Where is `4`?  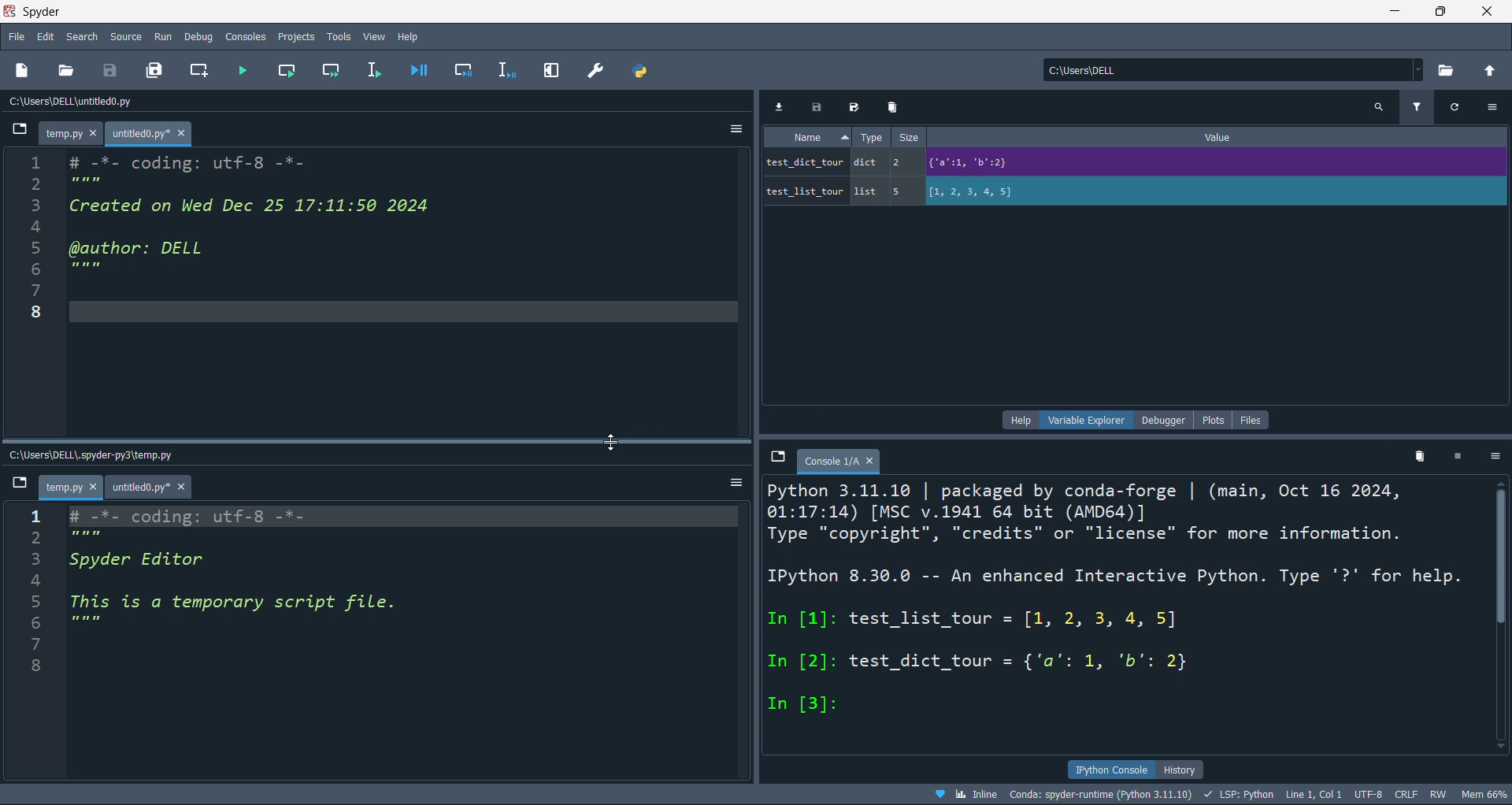
4 is located at coordinates (45, 227).